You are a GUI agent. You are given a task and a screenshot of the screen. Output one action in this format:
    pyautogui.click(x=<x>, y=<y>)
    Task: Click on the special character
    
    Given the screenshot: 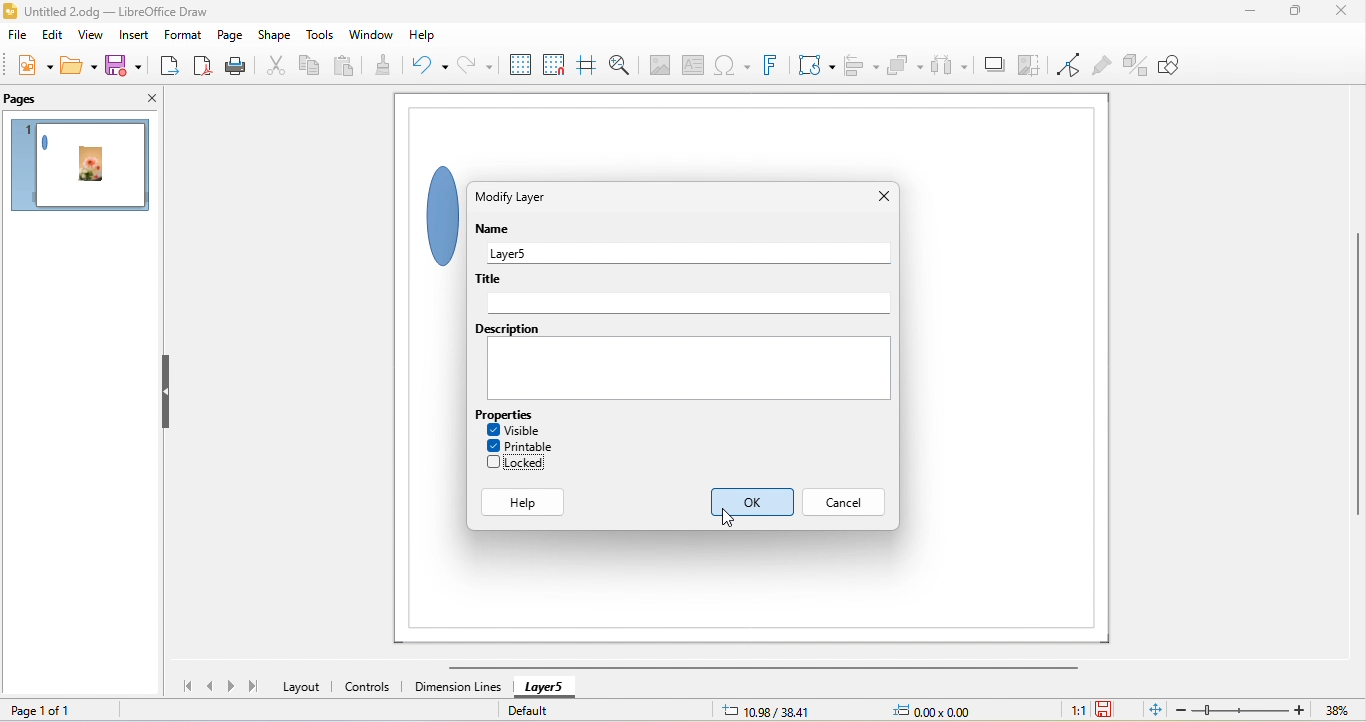 What is the action you would take?
    pyautogui.click(x=730, y=67)
    